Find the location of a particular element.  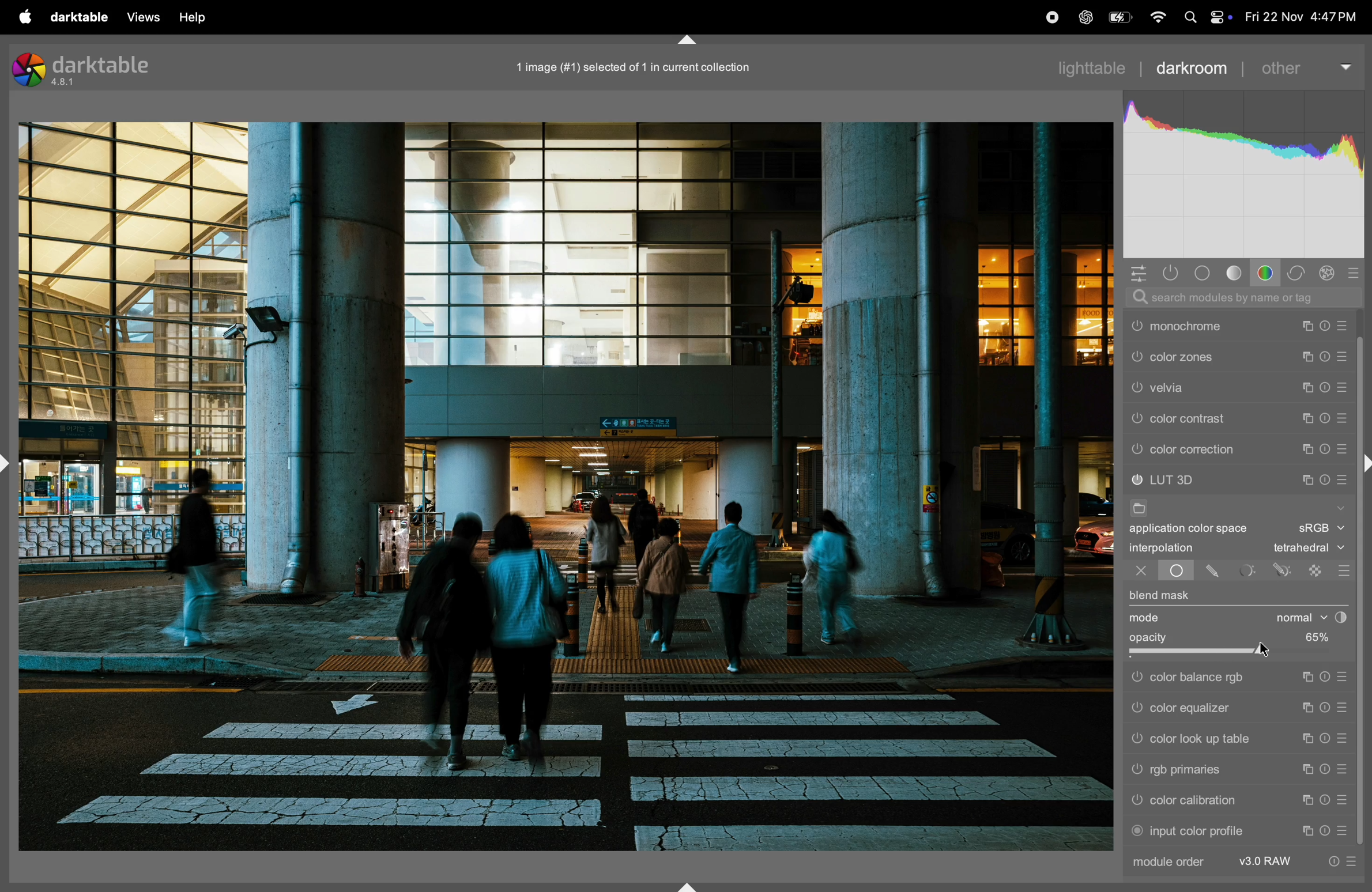

presets is located at coordinates (1341, 828).